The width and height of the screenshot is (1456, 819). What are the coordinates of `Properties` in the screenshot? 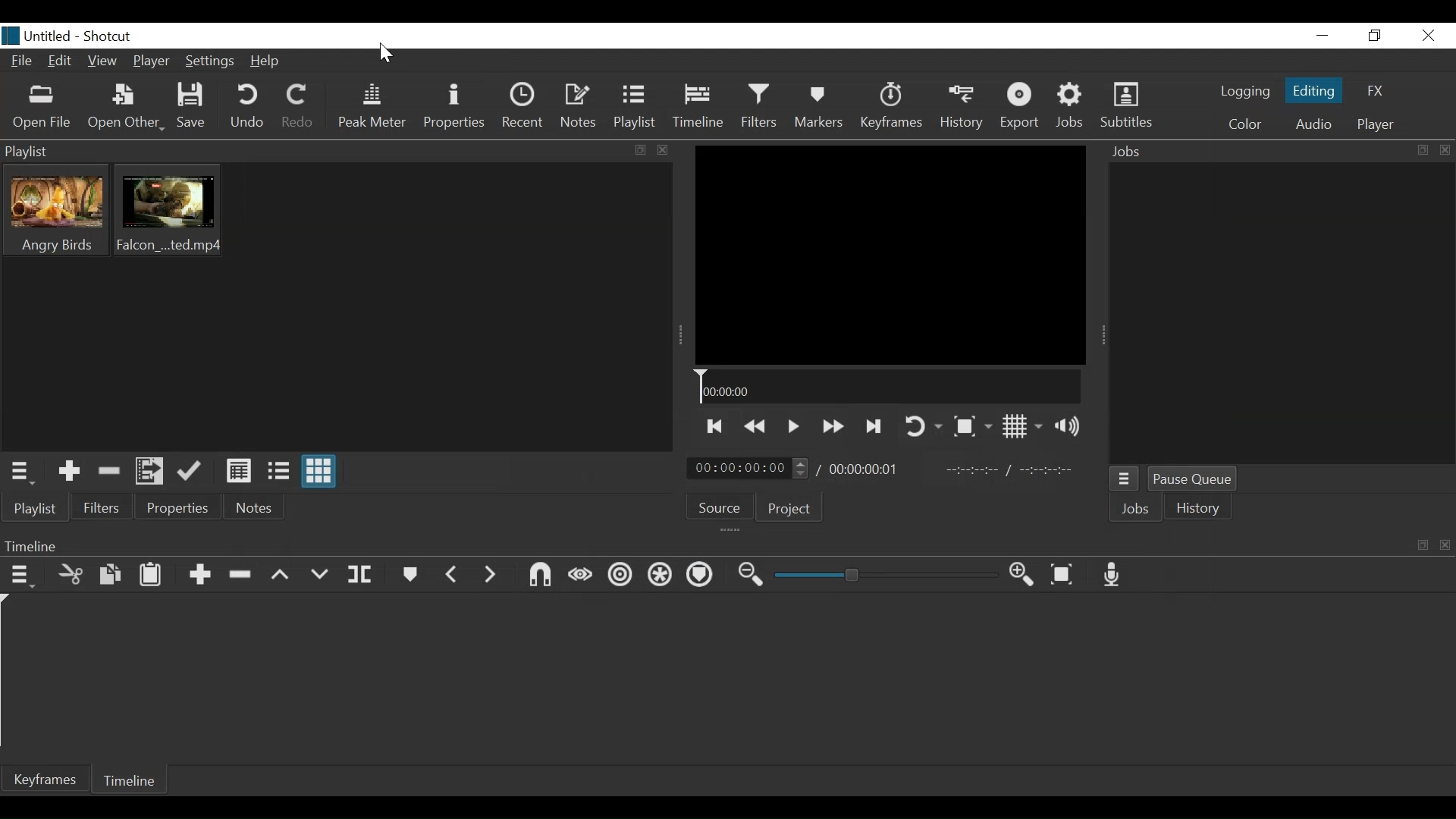 It's located at (453, 106).